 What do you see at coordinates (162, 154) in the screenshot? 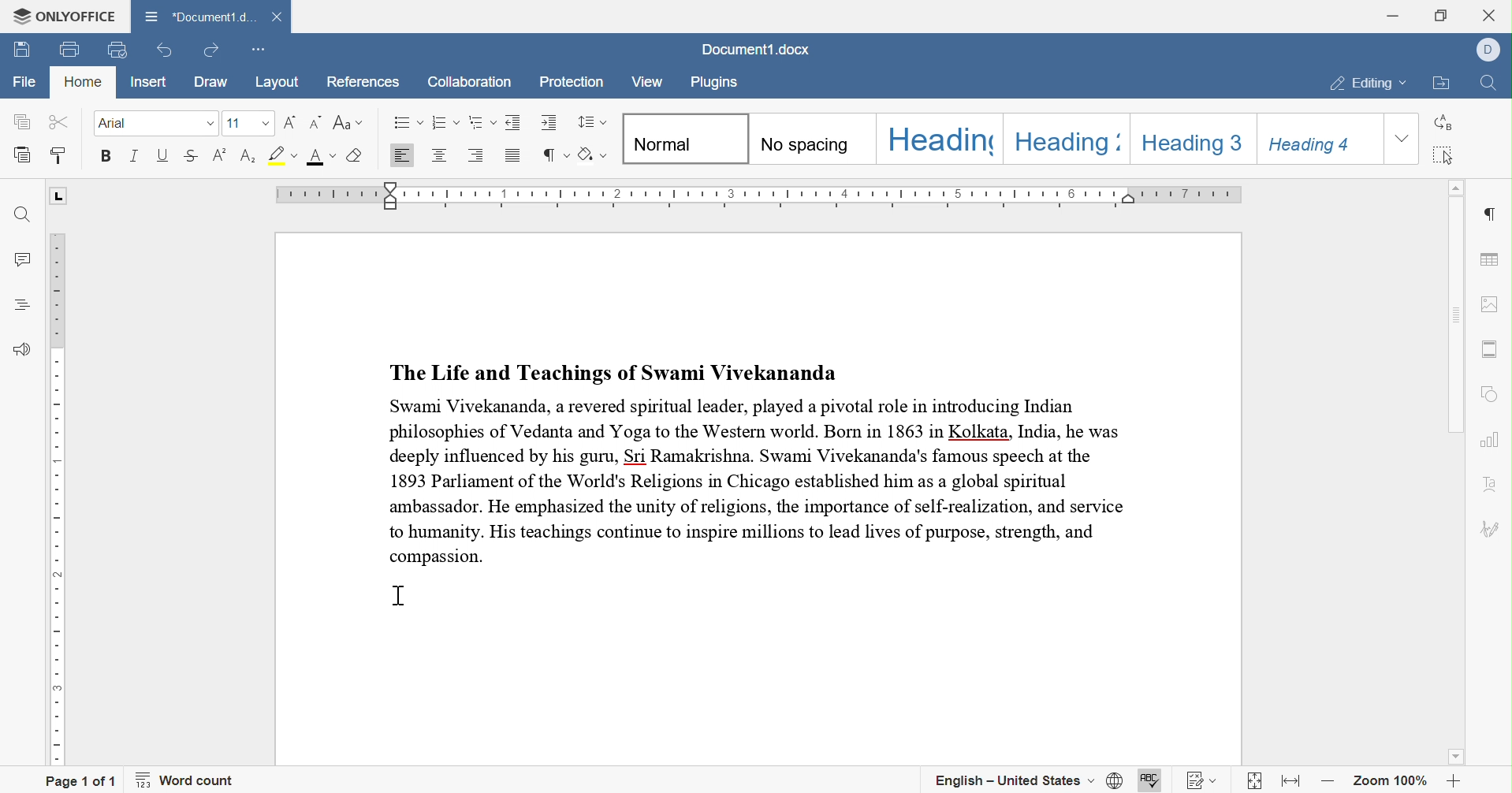
I see `underline` at bounding box center [162, 154].